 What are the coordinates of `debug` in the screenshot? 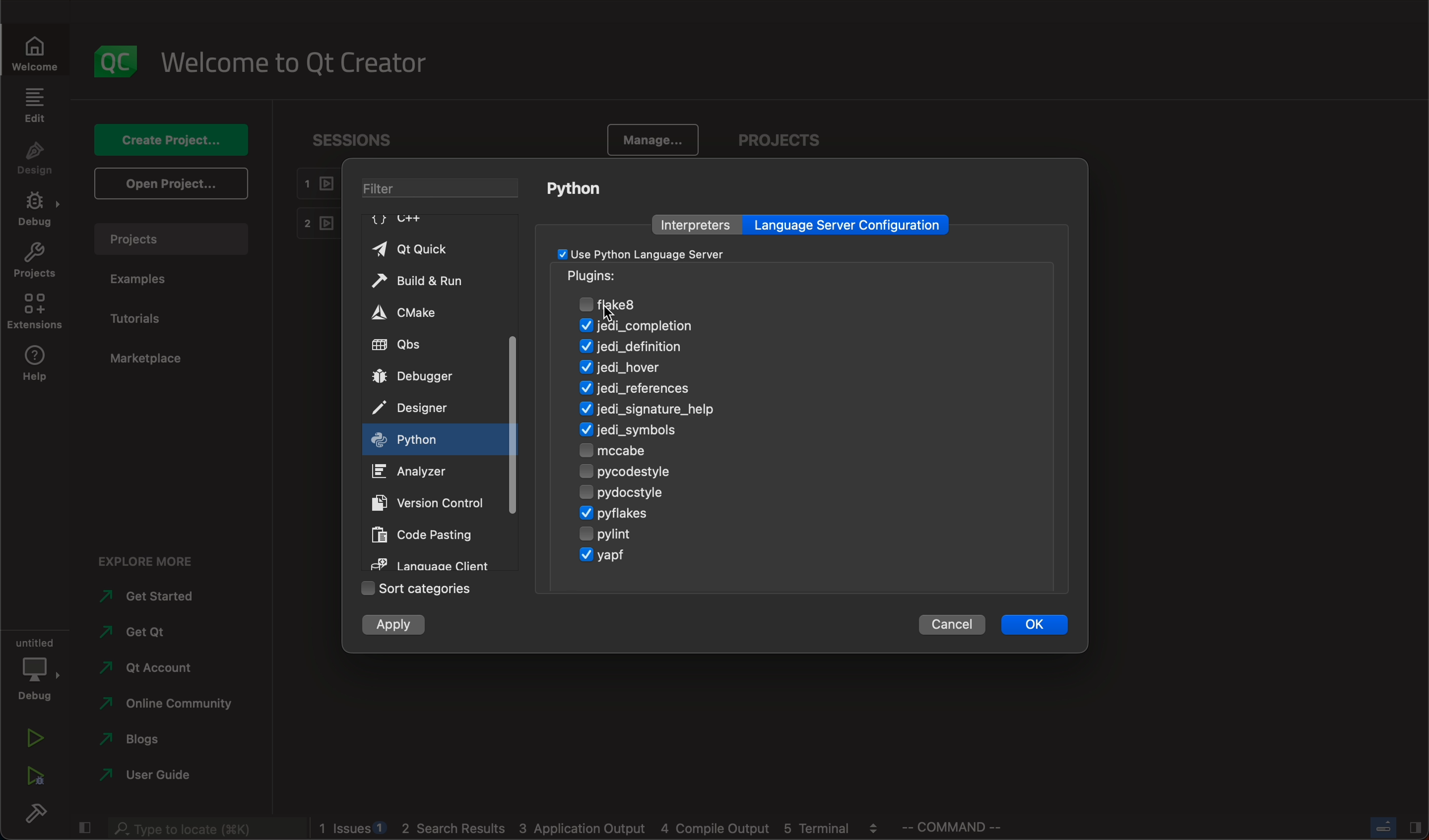 It's located at (36, 210).